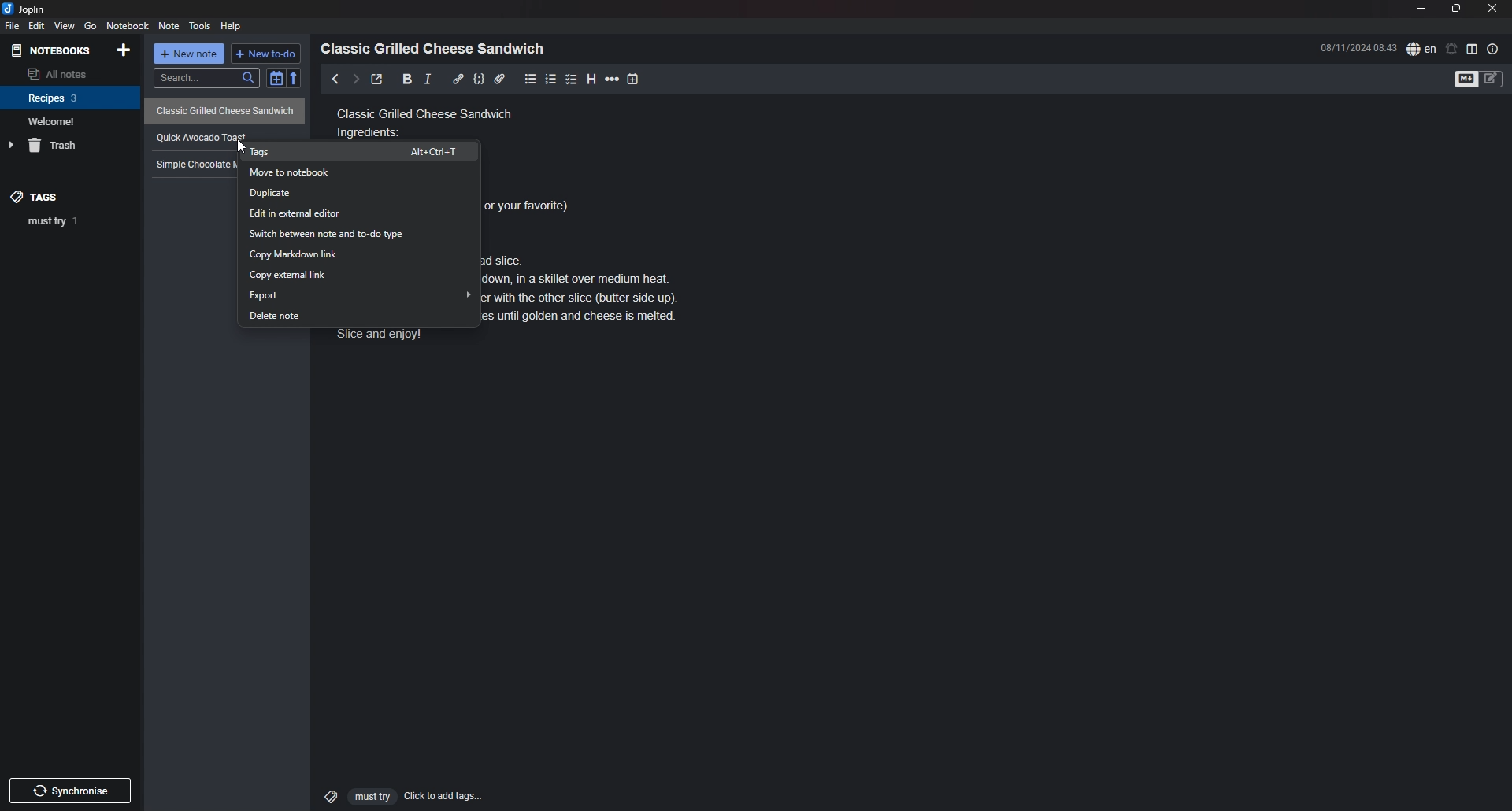 This screenshot has height=811, width=1512. Describe the element at coordinates (68, 73) in the screenshot. I see `all notes` at that location.